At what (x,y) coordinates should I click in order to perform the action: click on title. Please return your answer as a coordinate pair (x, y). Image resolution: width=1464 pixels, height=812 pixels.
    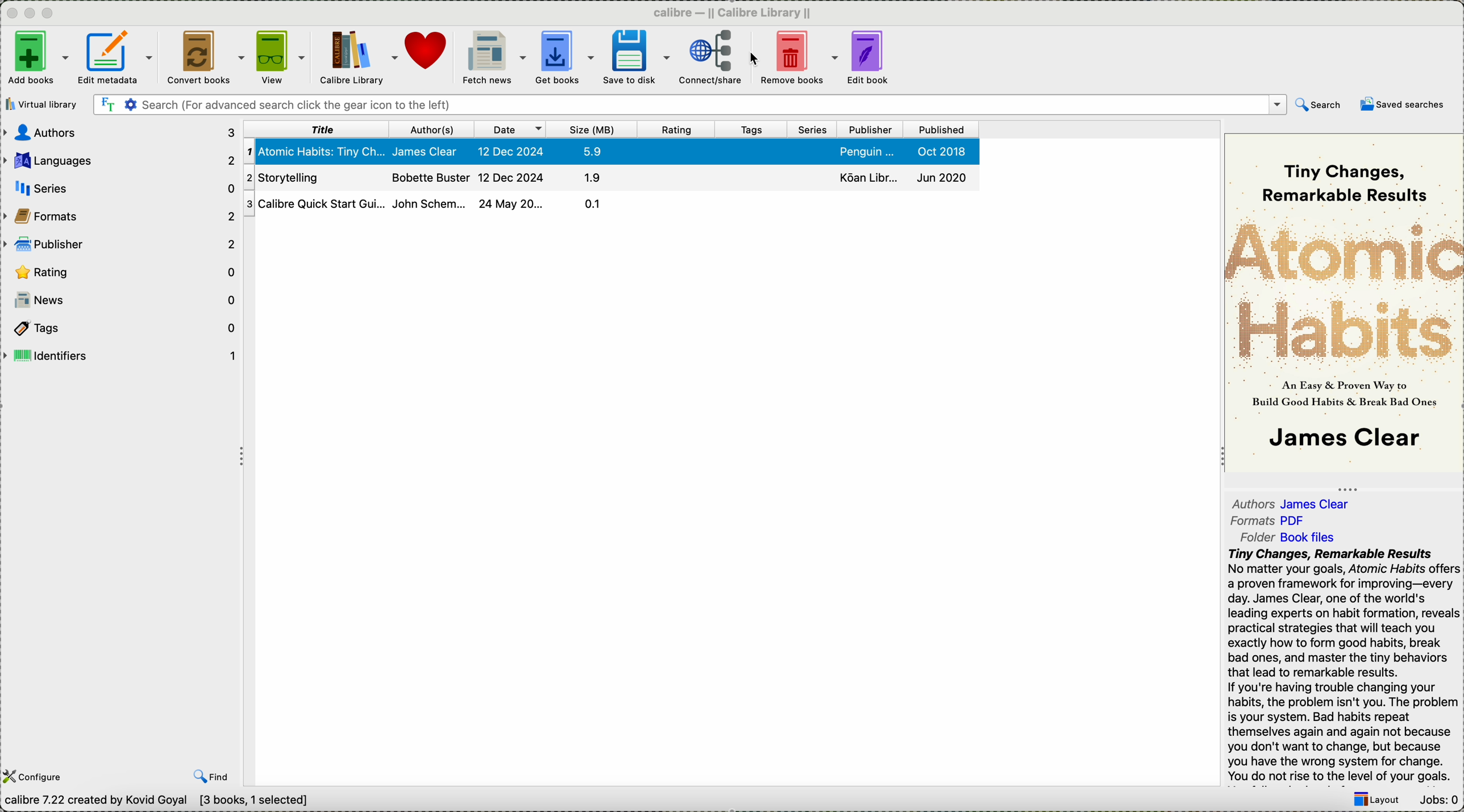
    Looking at the image, I should click on (315, 129).